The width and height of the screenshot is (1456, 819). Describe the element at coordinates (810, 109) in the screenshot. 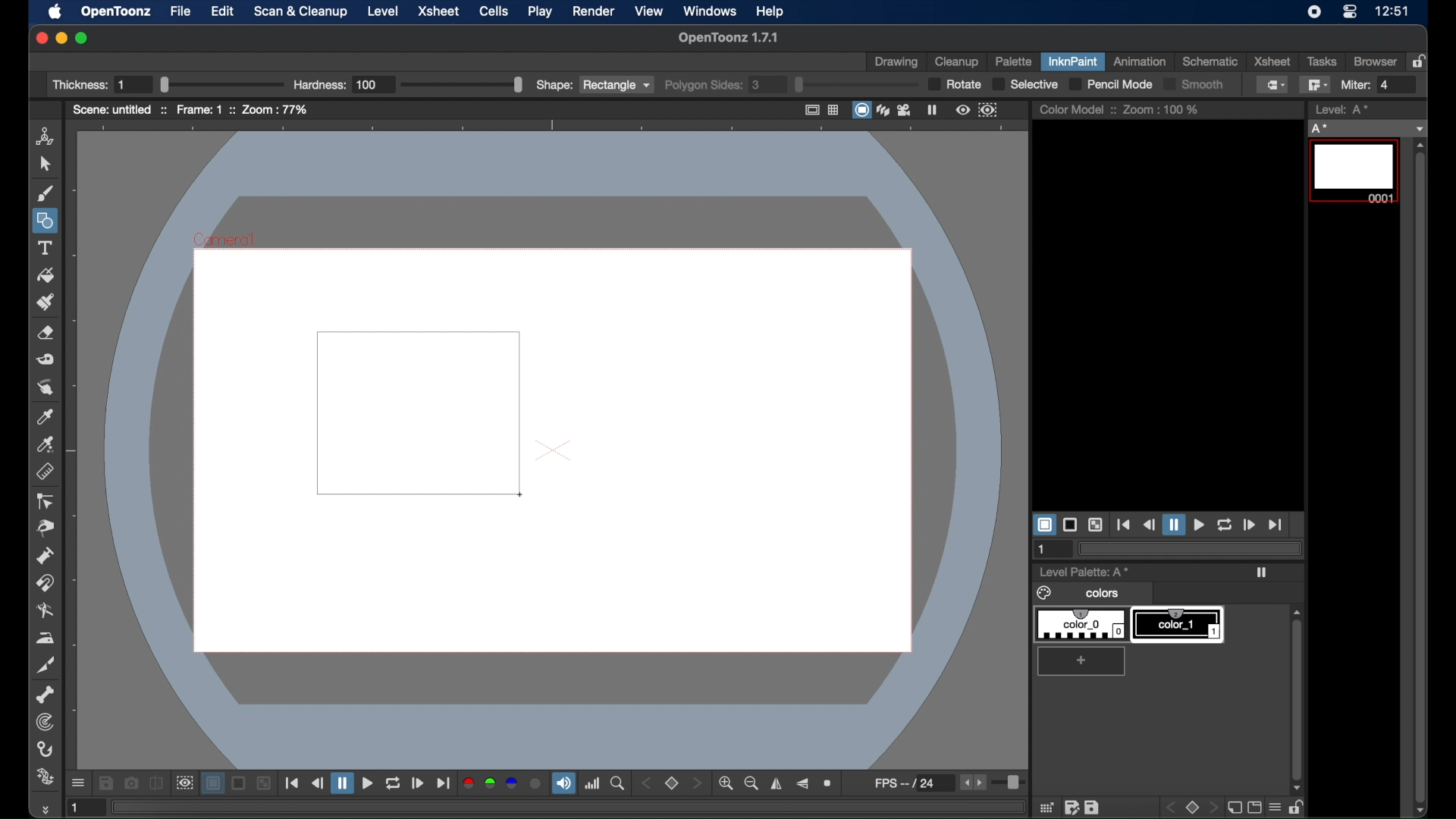

I see `safe area` at that location.